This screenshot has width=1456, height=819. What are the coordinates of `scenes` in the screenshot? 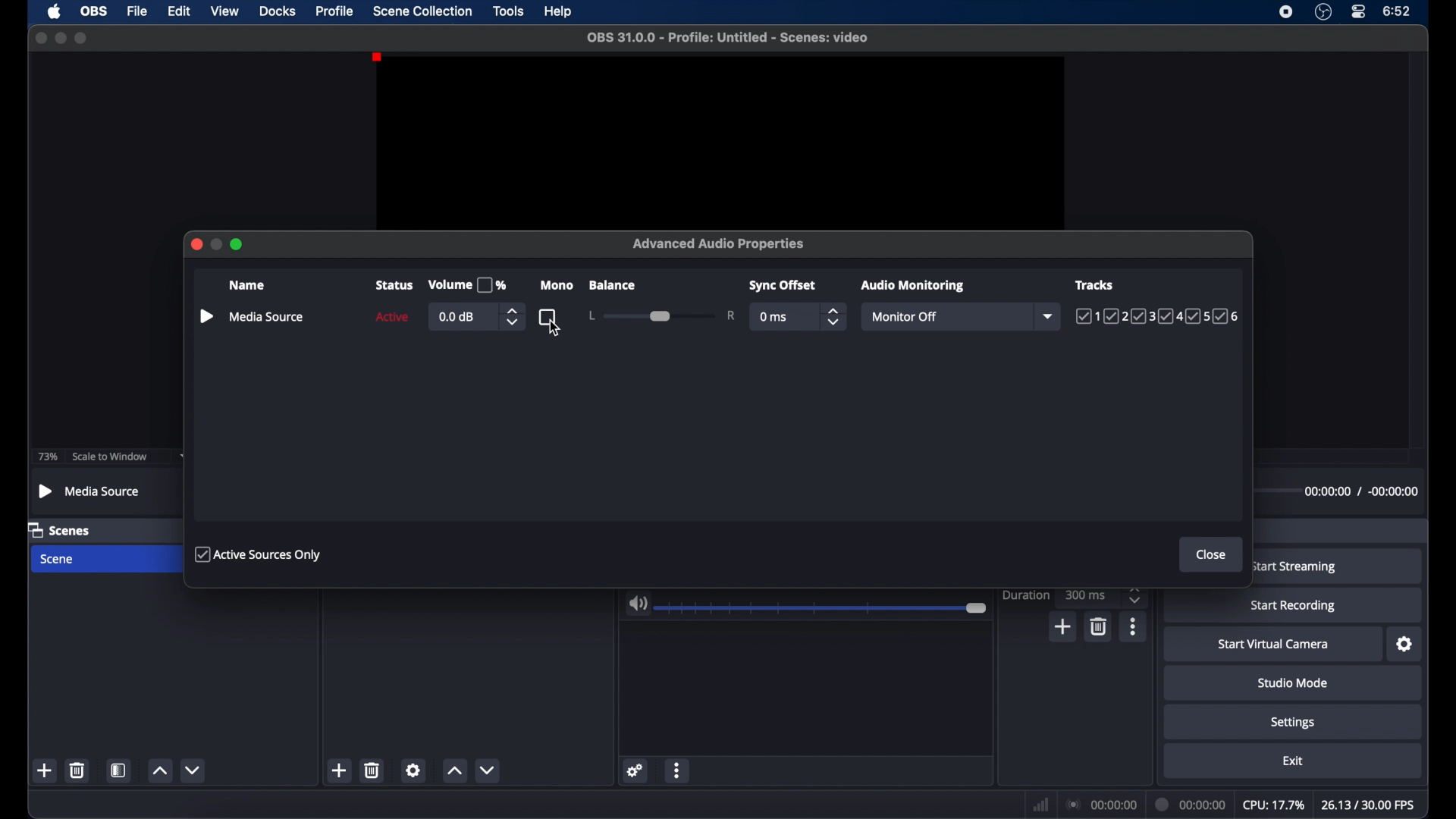 It's located at (60, 531).